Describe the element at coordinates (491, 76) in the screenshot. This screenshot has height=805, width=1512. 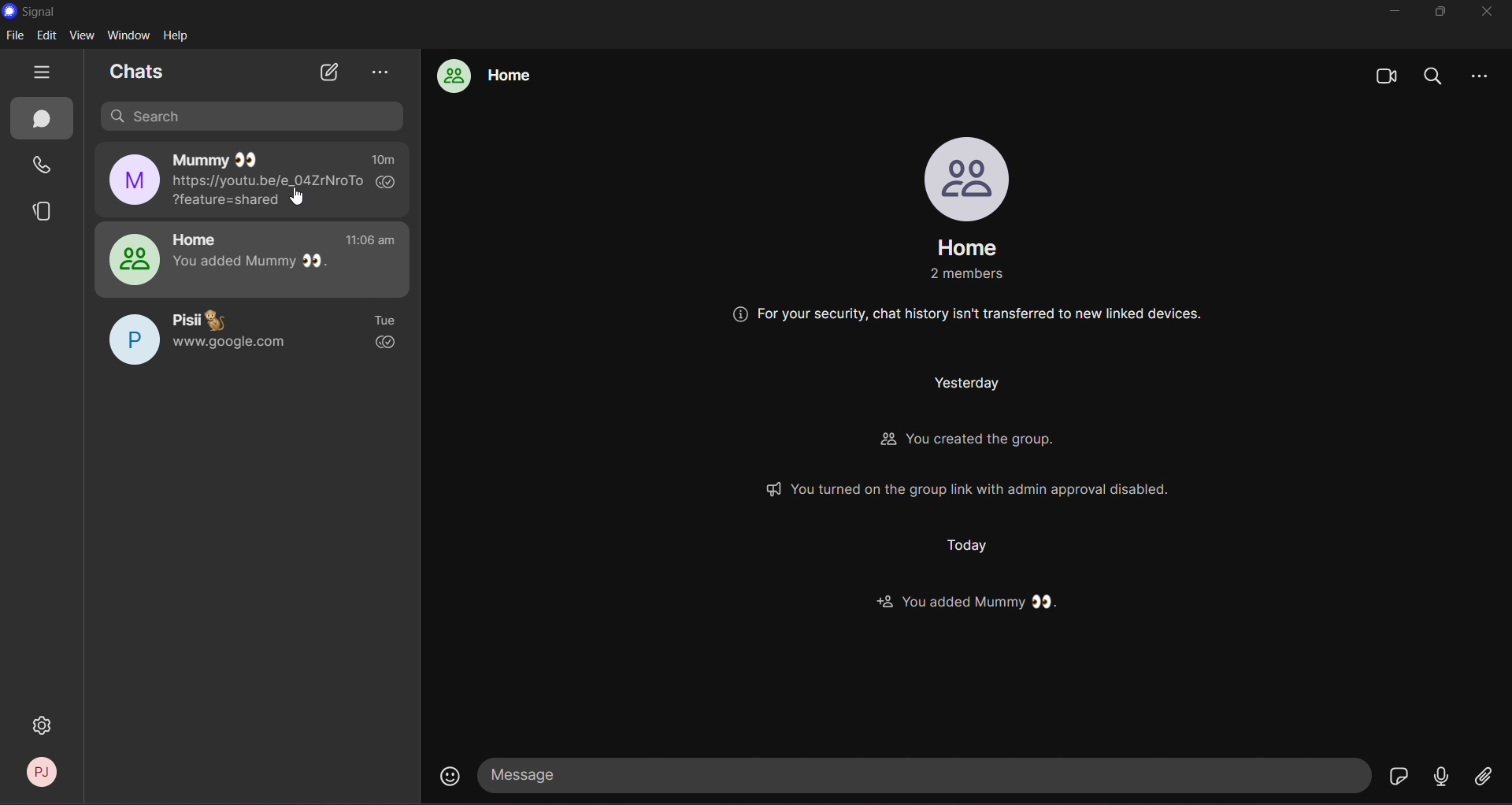
I see `home group chat` at that location.